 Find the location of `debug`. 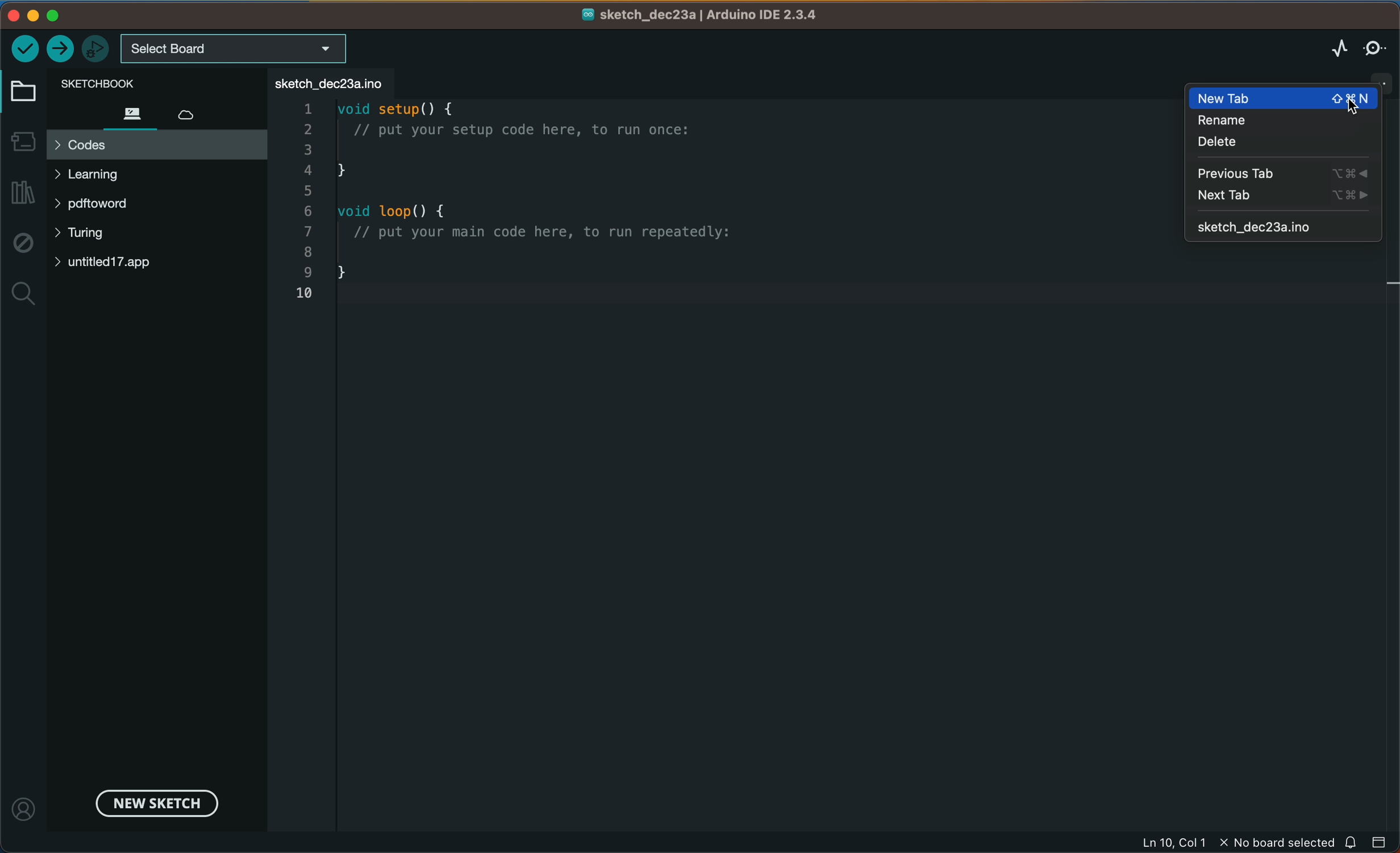

debug is located at coordinates (22, 244).